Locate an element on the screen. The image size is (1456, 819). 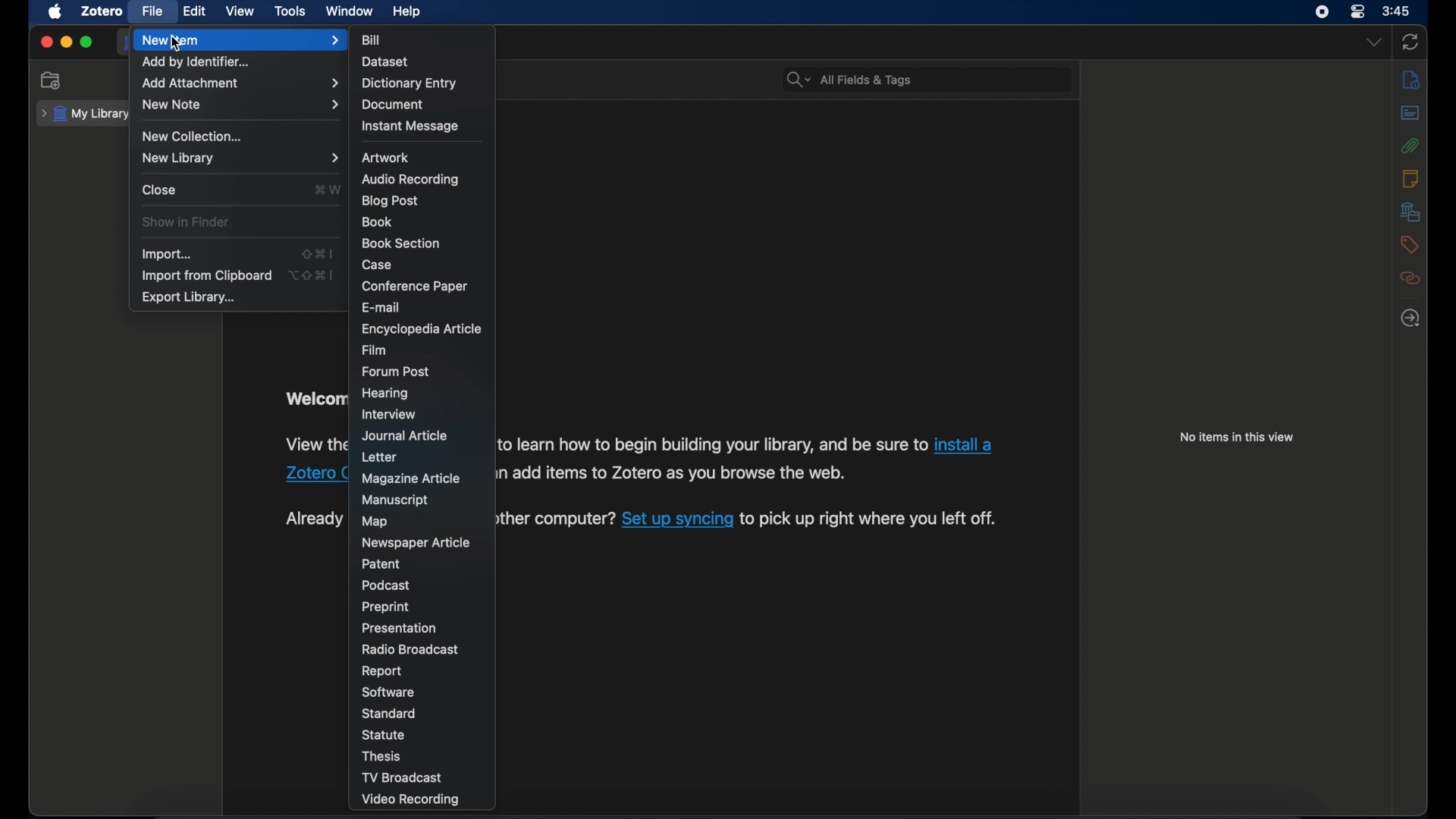
dropdown is located at coordinates (1373, 42).